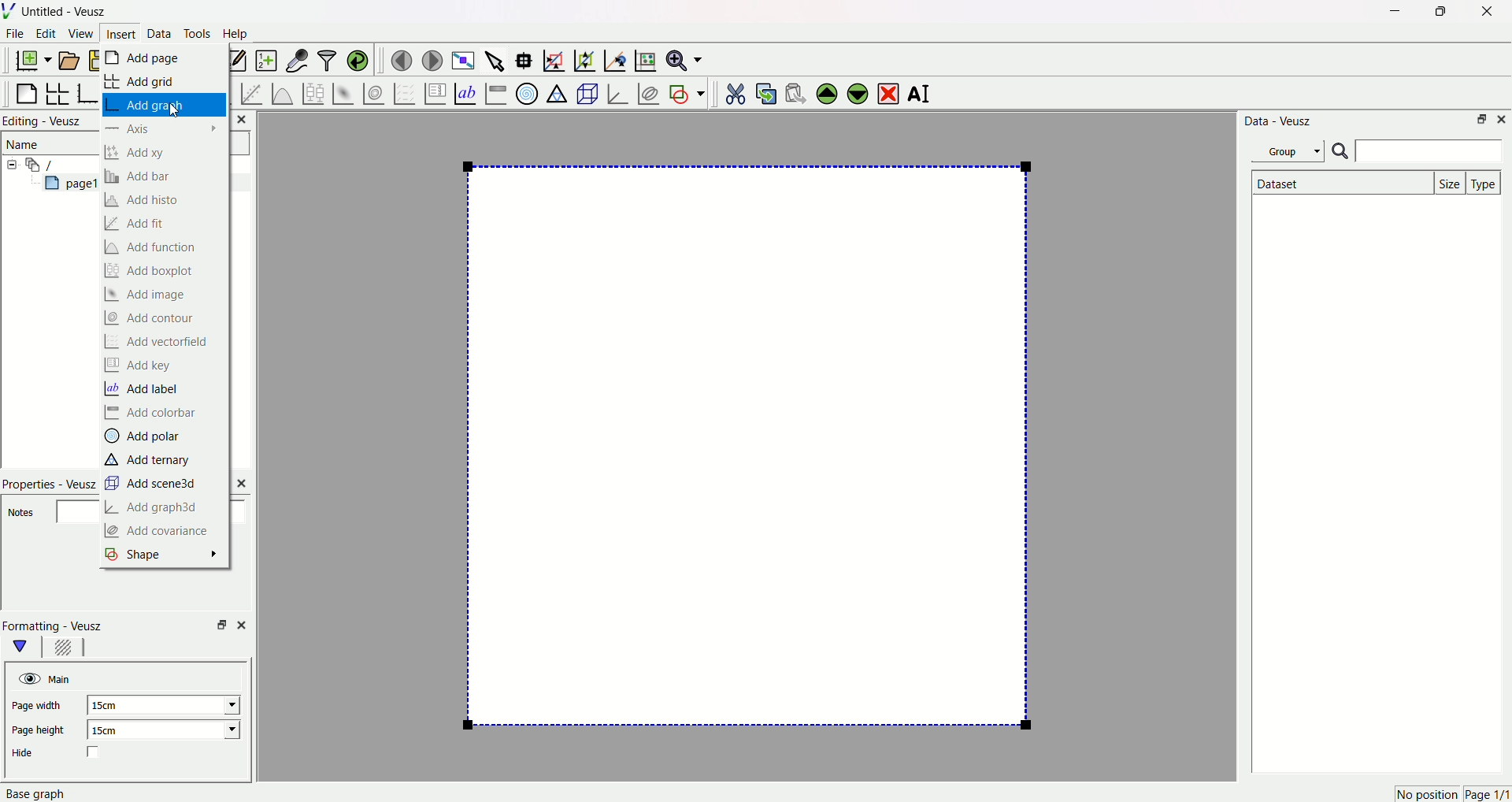 Image resolution: width=1512 pixels, height=802 pixels. Describe the element at coordinates (281, 93) in the screenshot. I see `plot a function` at that location.